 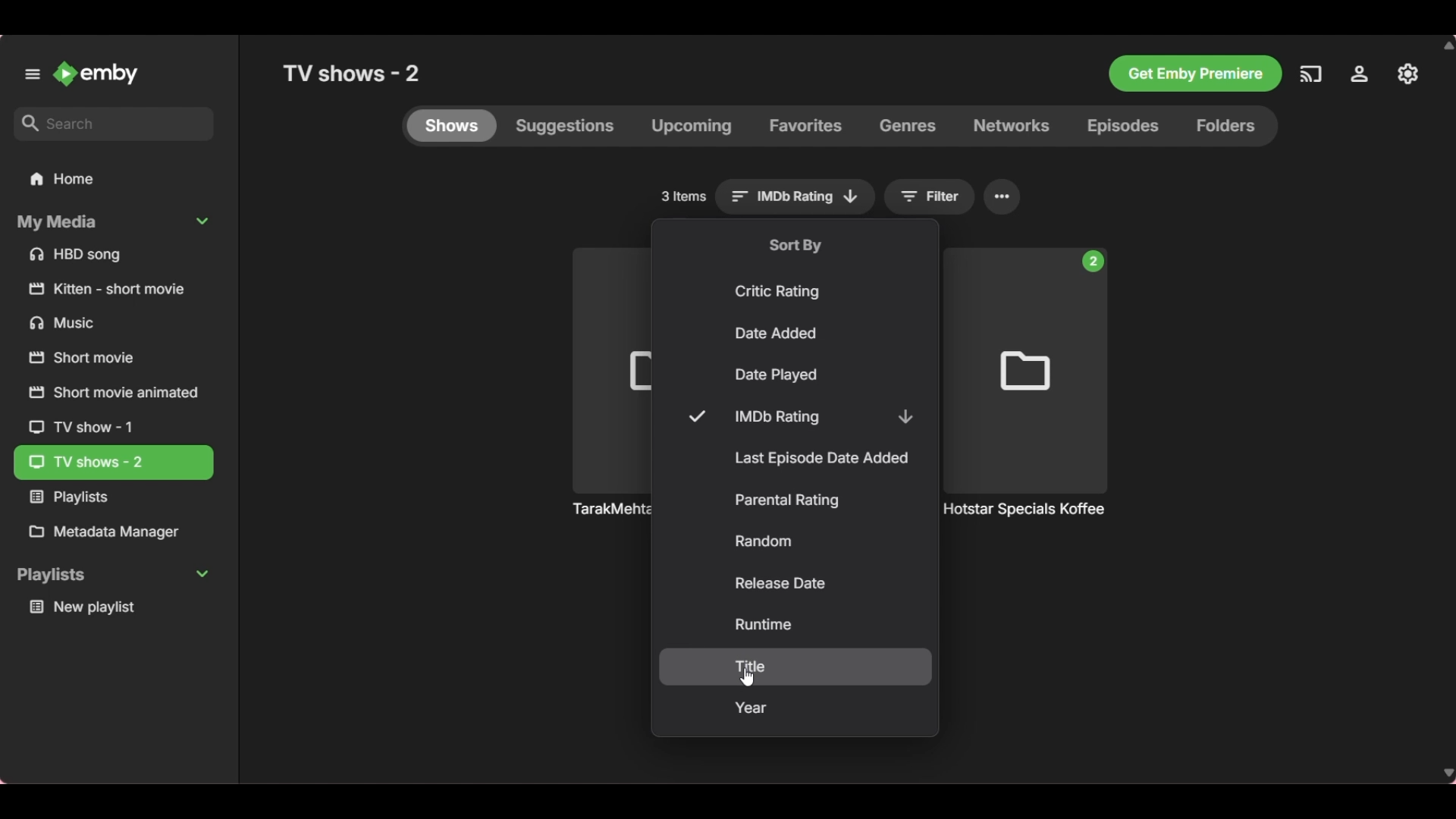 I want to click on Sort by year, so click(x=795, y=709).